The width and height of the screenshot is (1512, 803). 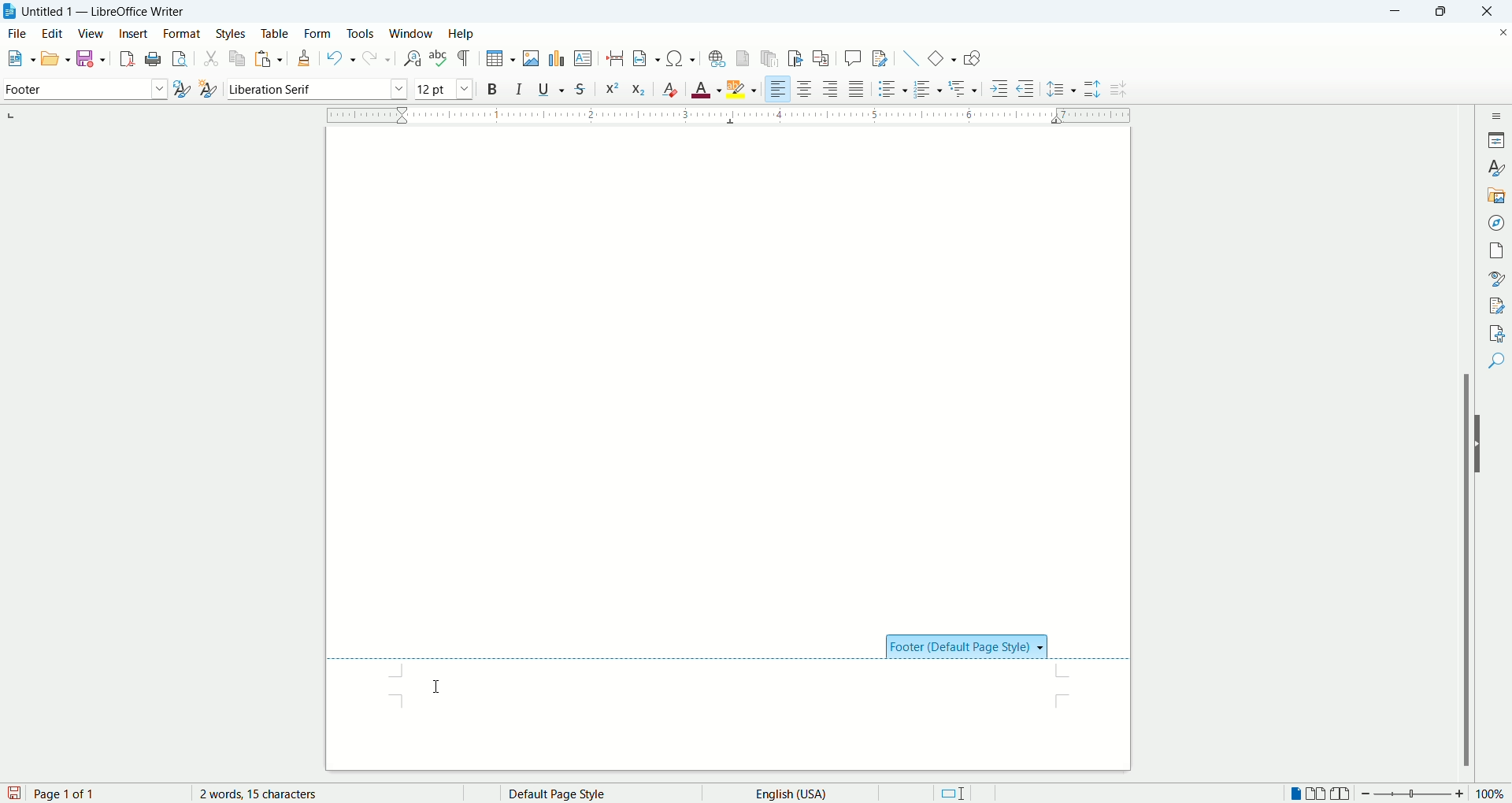 What do you see at coordinates (617, 58) in the screenshot?
I see `insert page break` at bounding box center [617, 58].